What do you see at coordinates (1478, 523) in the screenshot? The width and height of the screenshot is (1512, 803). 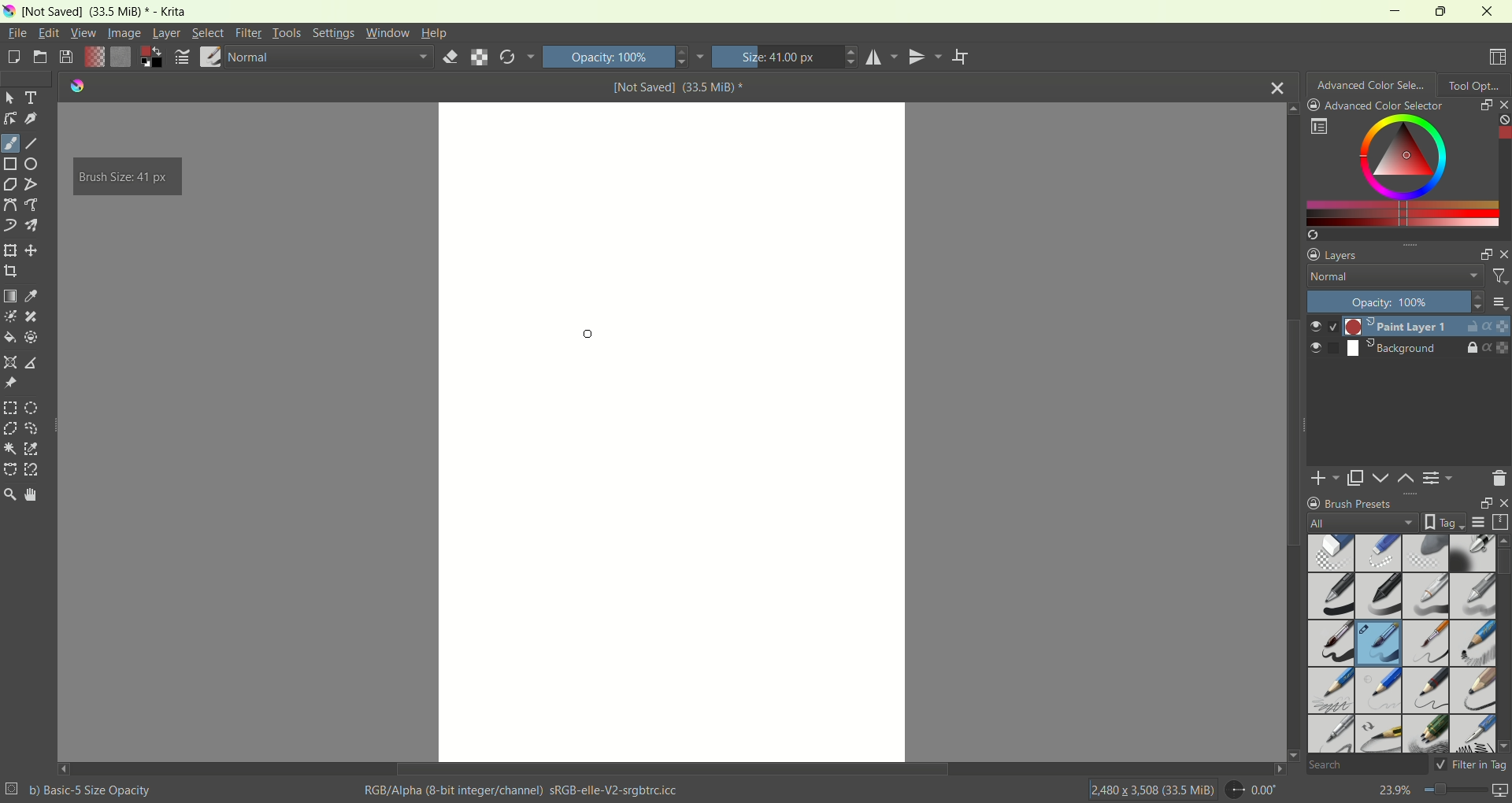 I see `display` at bounding box center [1478, 523].